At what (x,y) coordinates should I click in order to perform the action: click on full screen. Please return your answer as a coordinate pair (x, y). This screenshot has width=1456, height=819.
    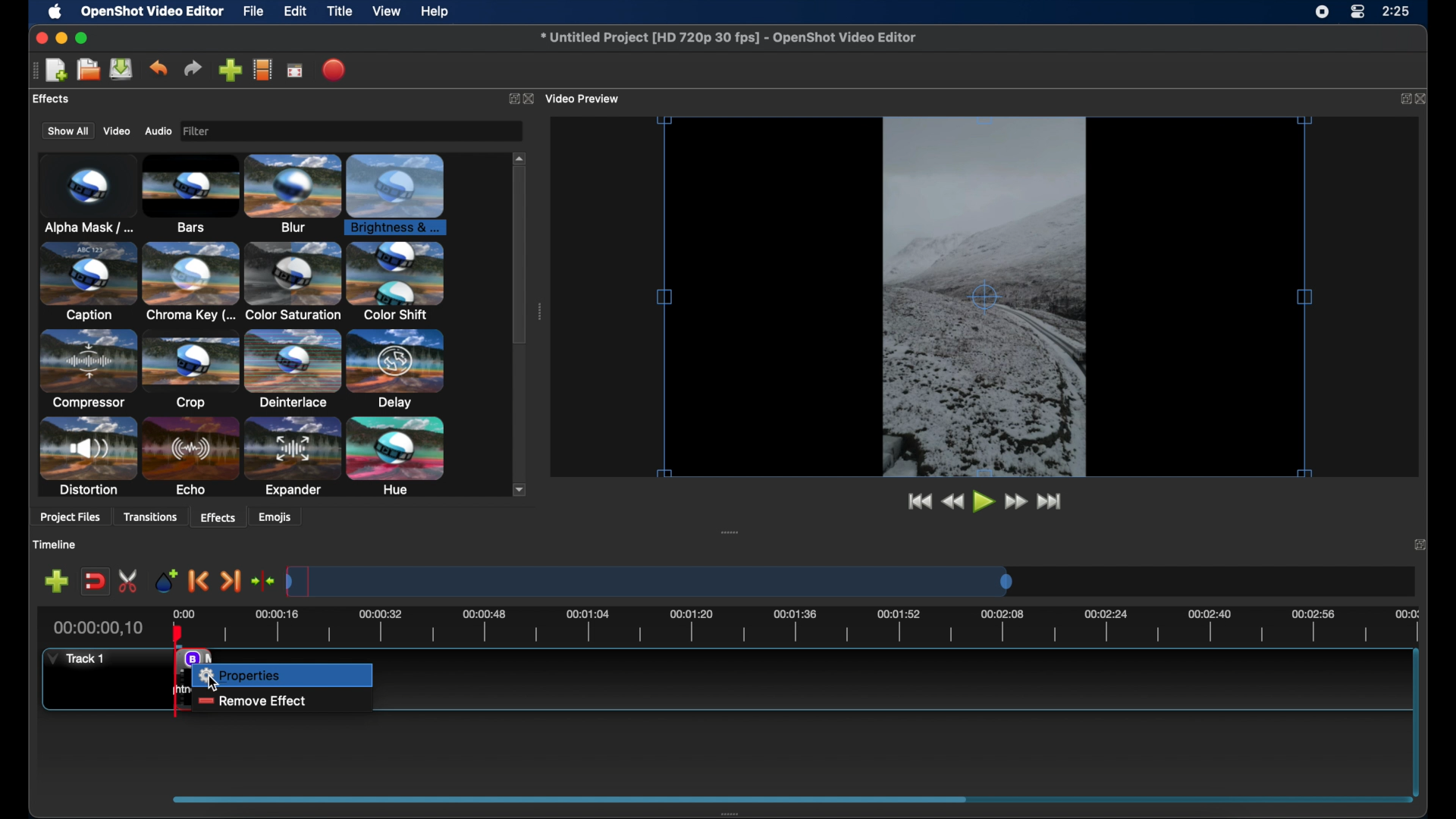
    Looking at the image, I should click on (295, 71).